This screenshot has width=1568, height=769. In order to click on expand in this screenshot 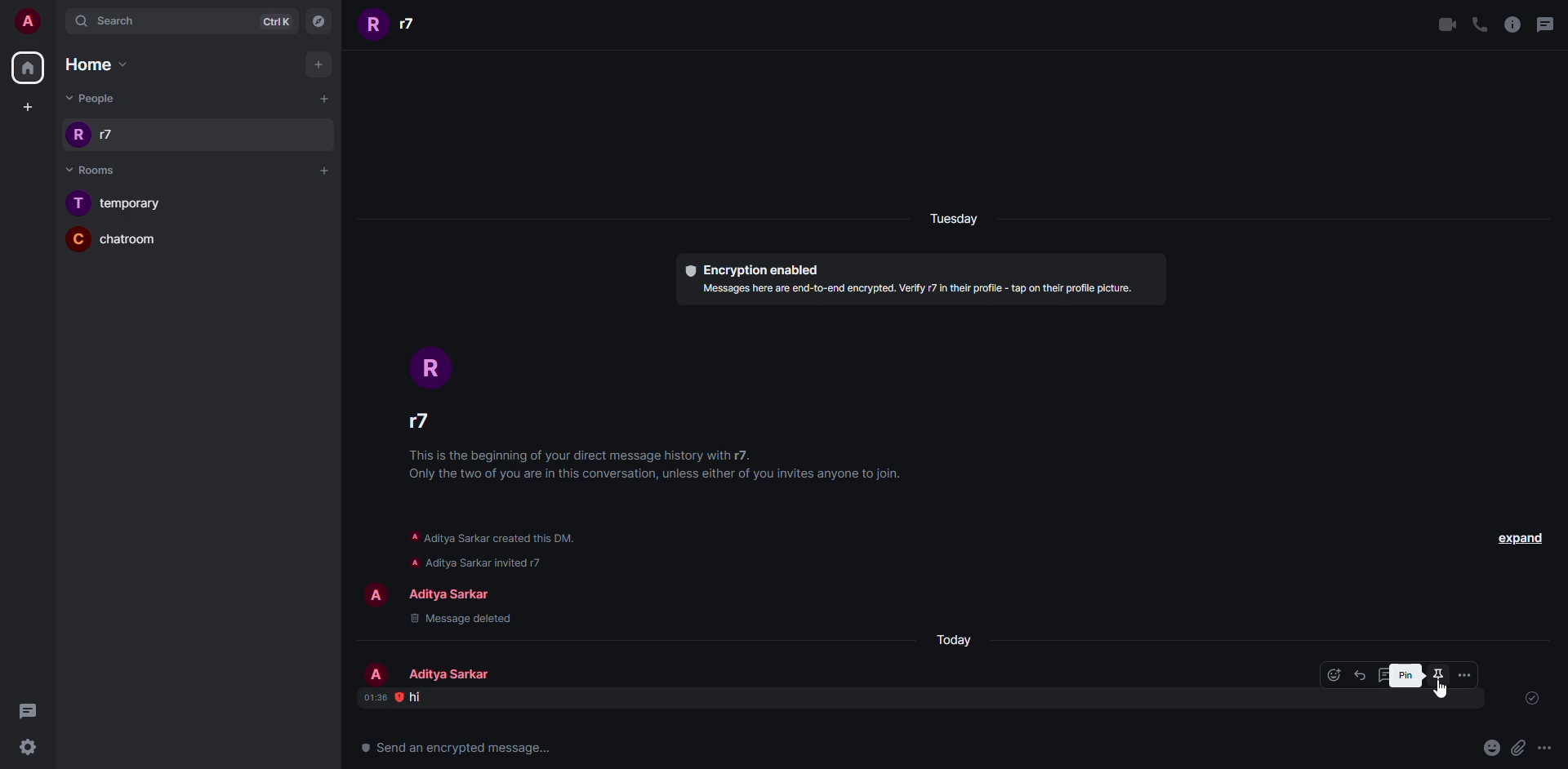, I will do `click(1524, 539)`.